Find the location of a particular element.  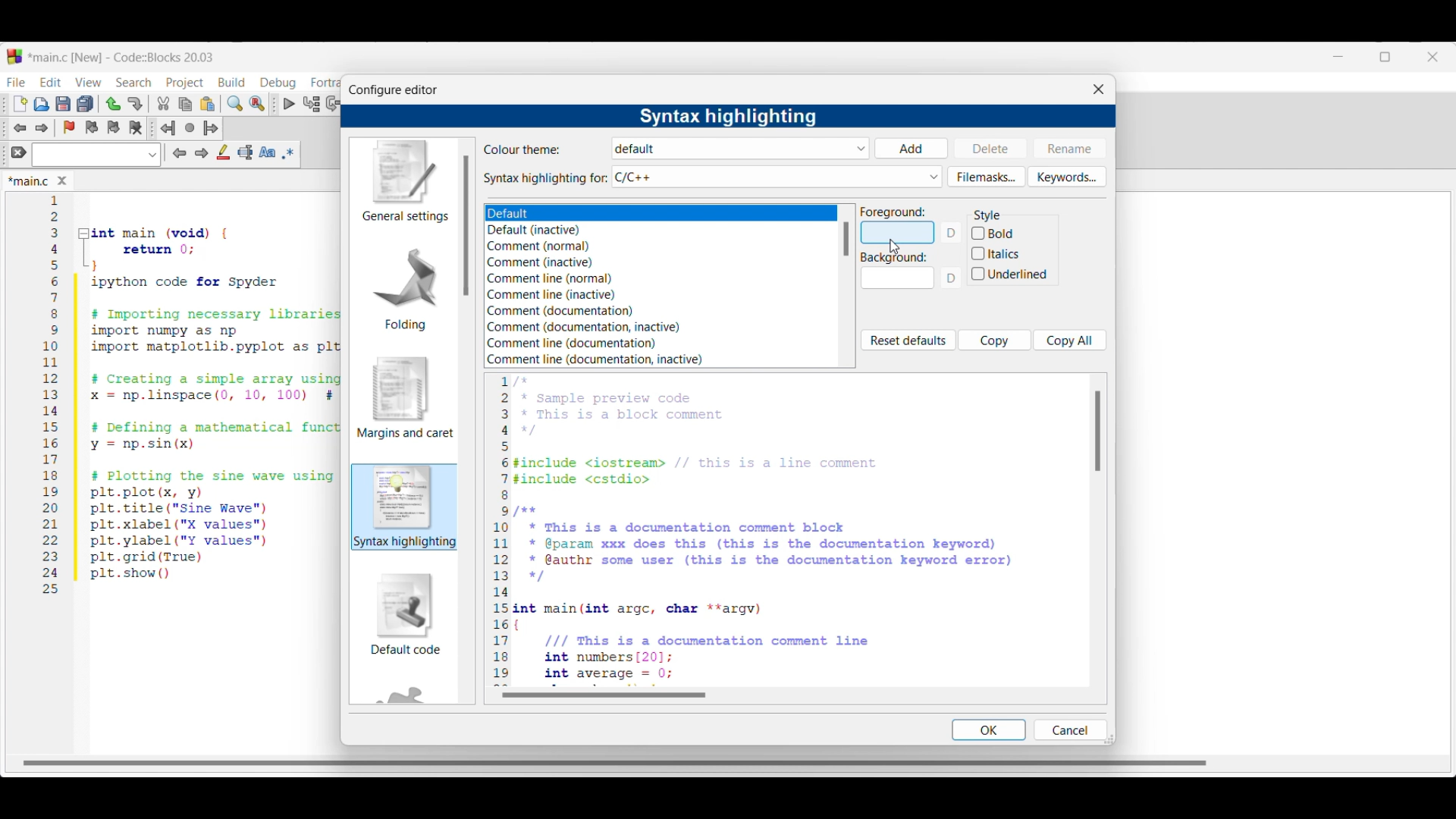

Build menu is located at coordinates (231, 82).